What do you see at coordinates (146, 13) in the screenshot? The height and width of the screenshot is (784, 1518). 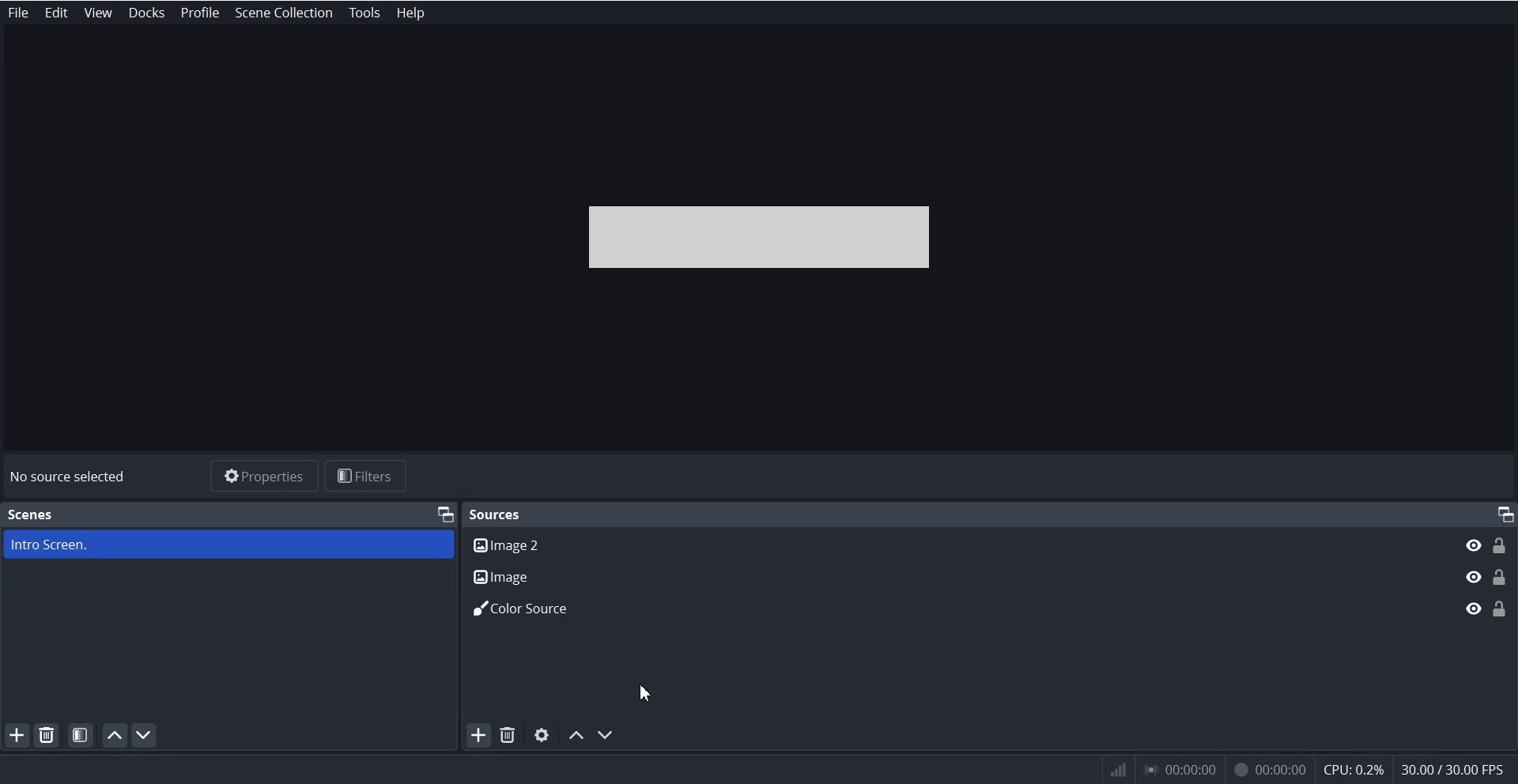 I see `Docks` at bounding box center [146, 13].